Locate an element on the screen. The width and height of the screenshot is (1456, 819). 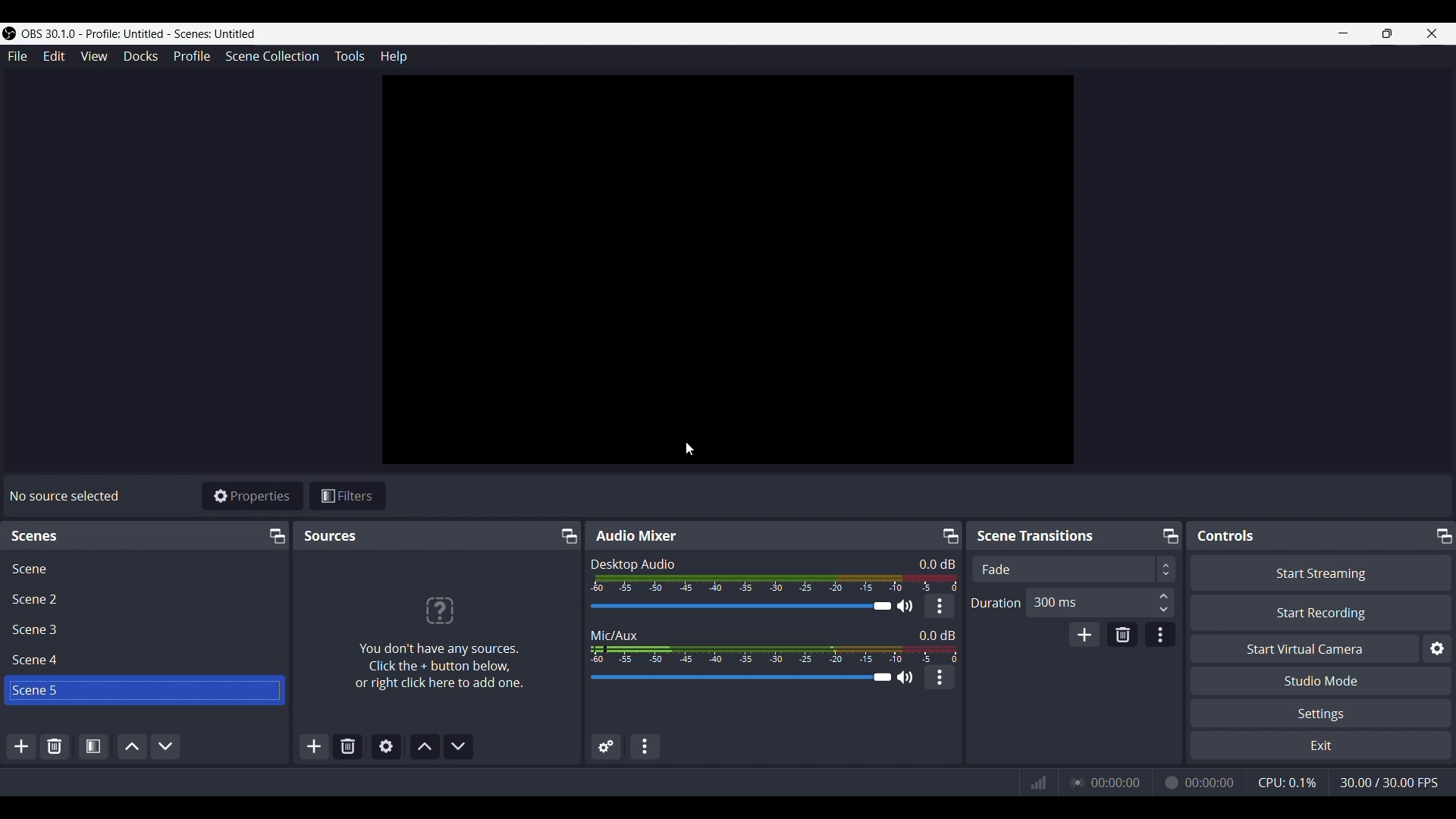
Scene 2 is located at coordinates (144, 598).